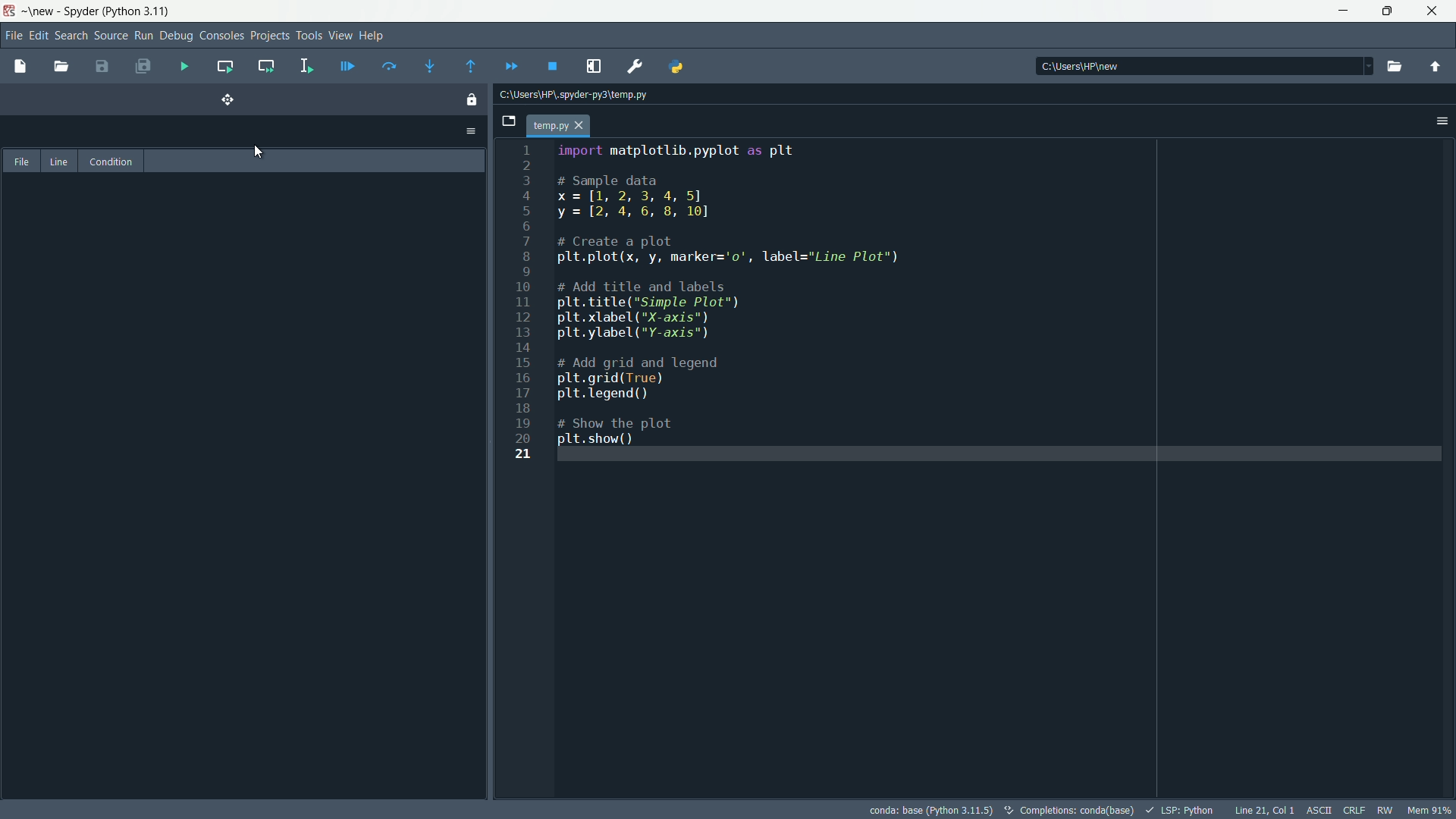 This screenshot has height=819, width=1456. What do you see at coordinates (1103, 65) in the screenshot?
I see `| C:\Users\HP\new` at bounding box center [1103, 65].